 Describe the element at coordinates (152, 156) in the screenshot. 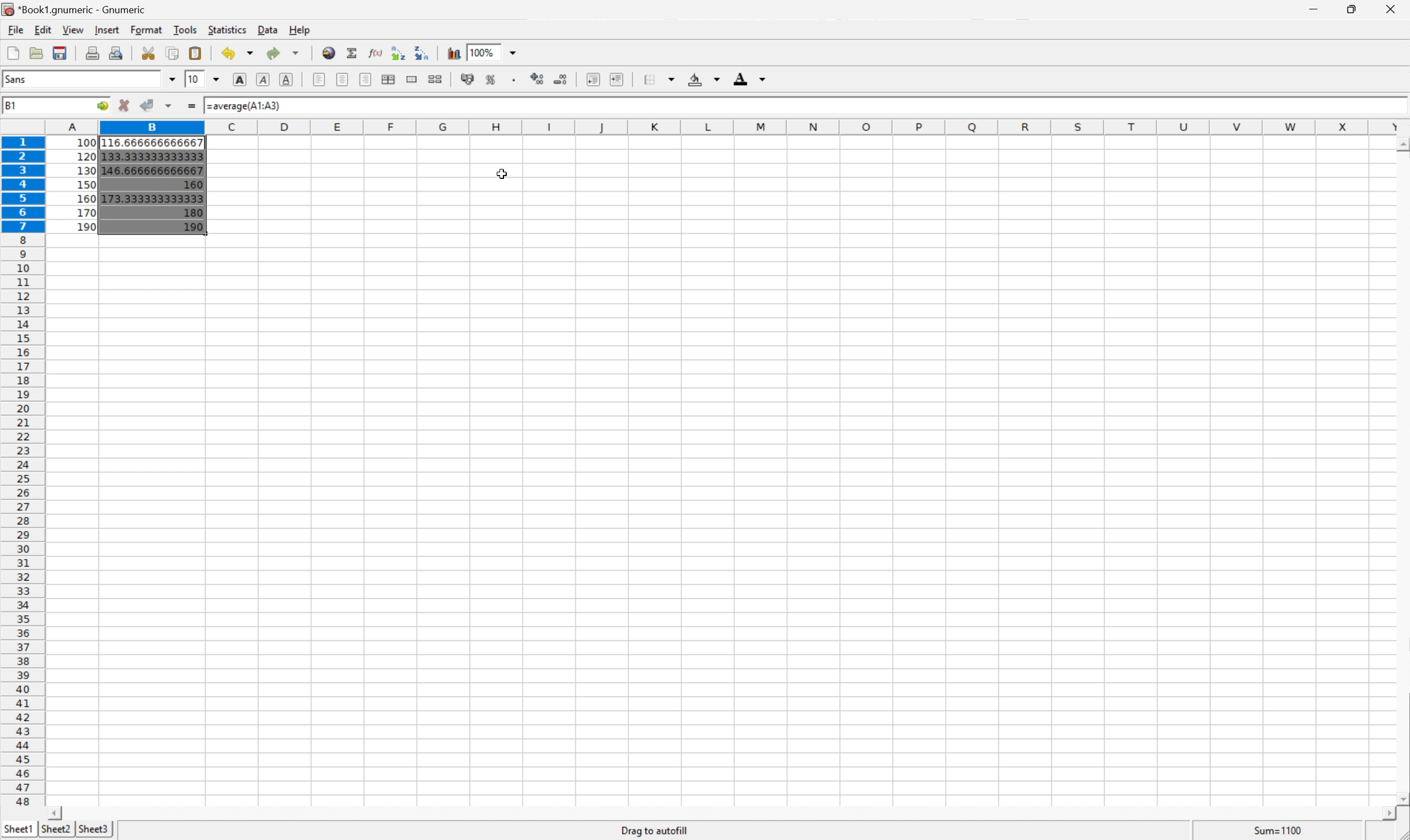

I see `133.333333333333` at that location.